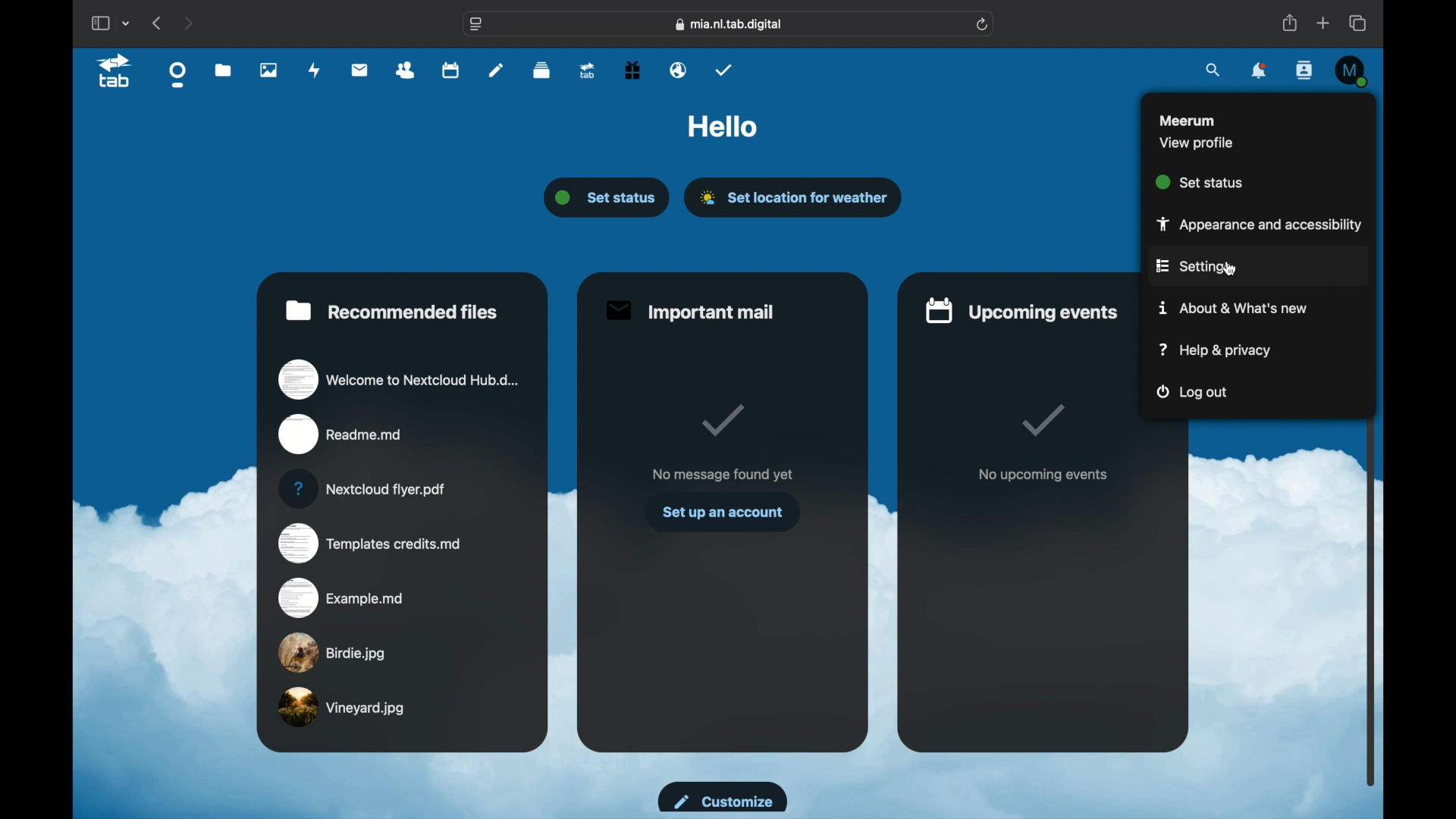 The image size is (1456, 819). I want to click on previous, so click(158, 23).